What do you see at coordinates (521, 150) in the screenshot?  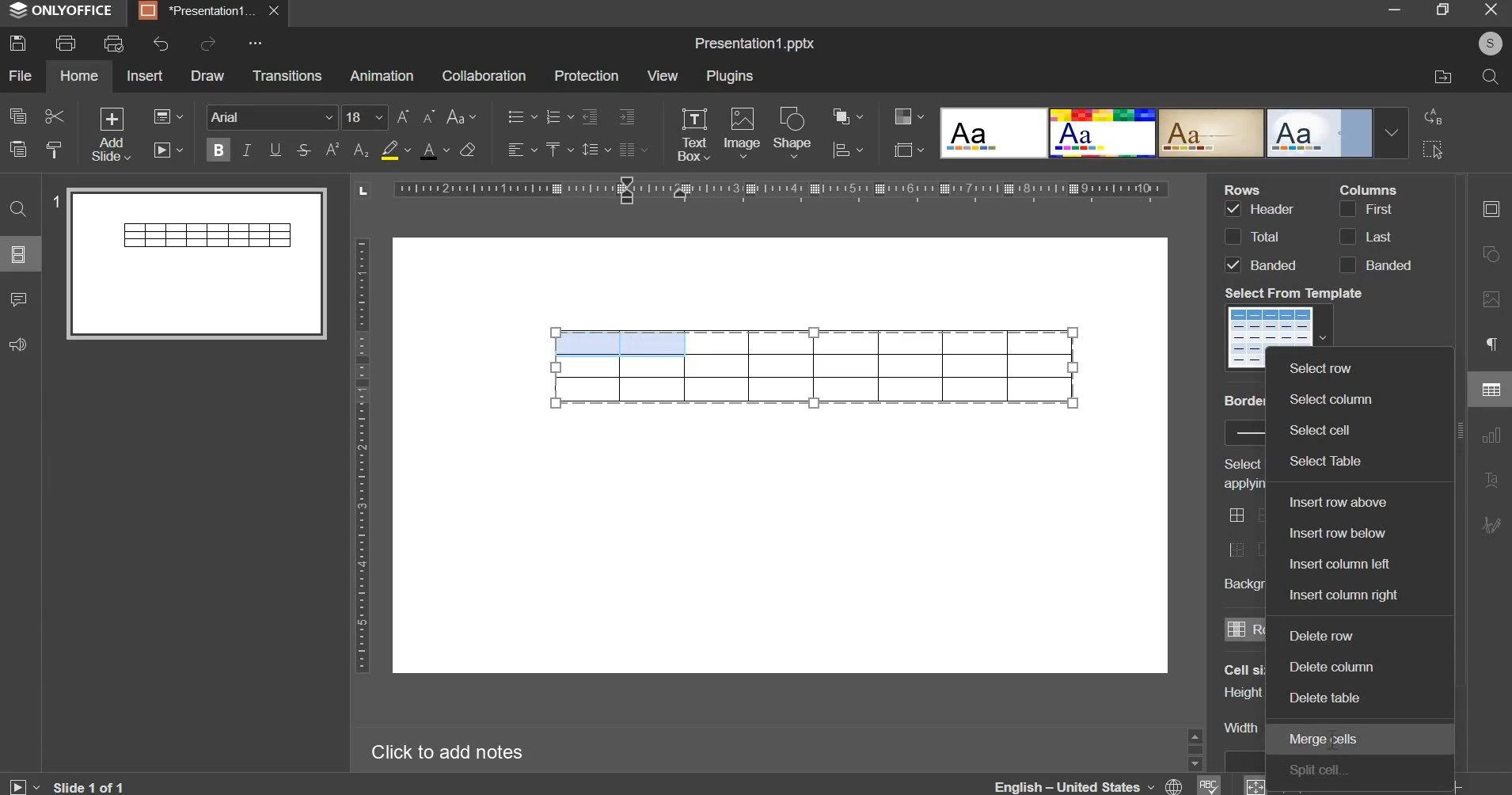 I see `horizontal alignment` at bounding box center [521, 150].